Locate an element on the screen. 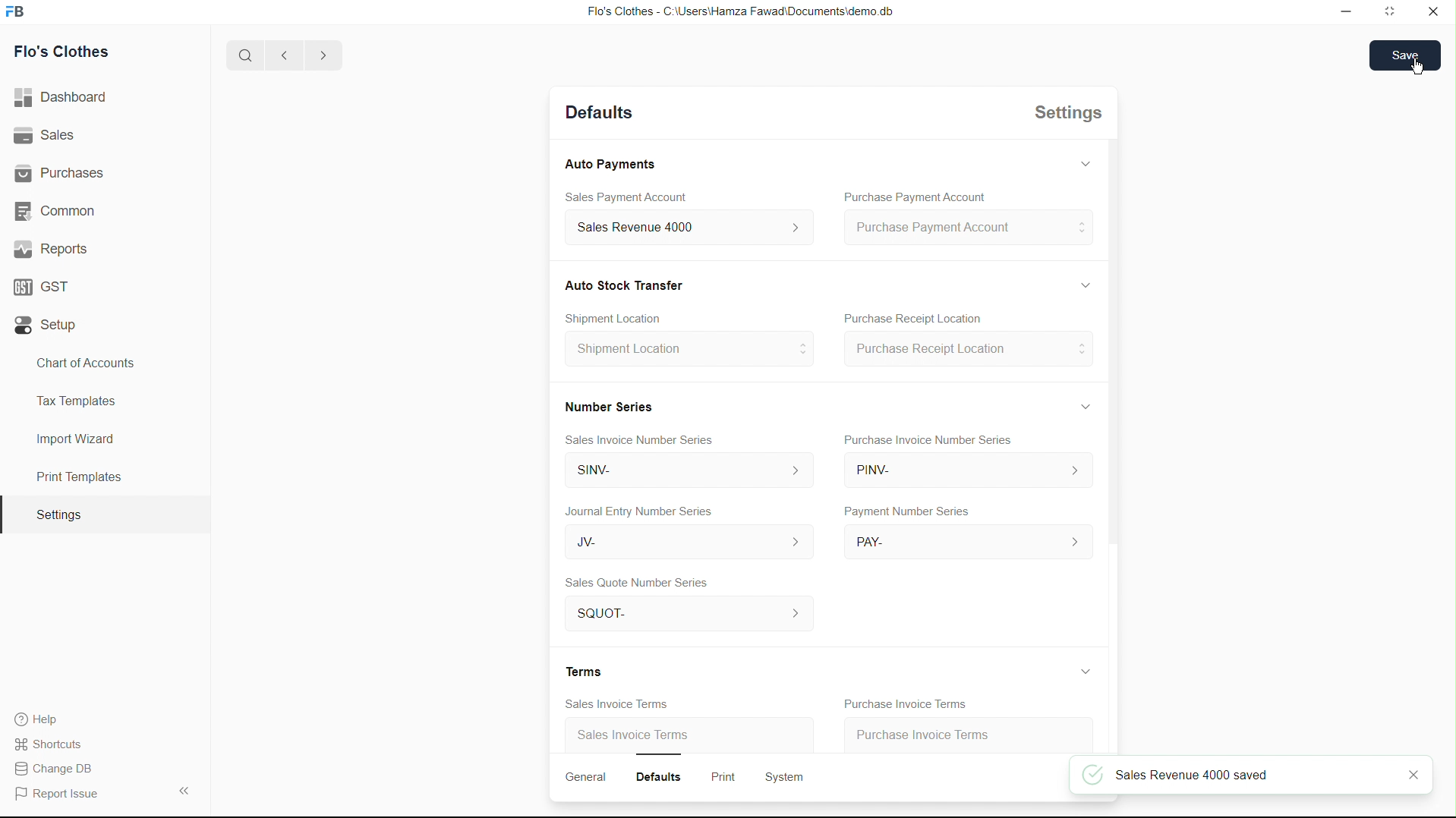 The image size is (1456, 818). Tax Templates is located at coordinates (73, 398).